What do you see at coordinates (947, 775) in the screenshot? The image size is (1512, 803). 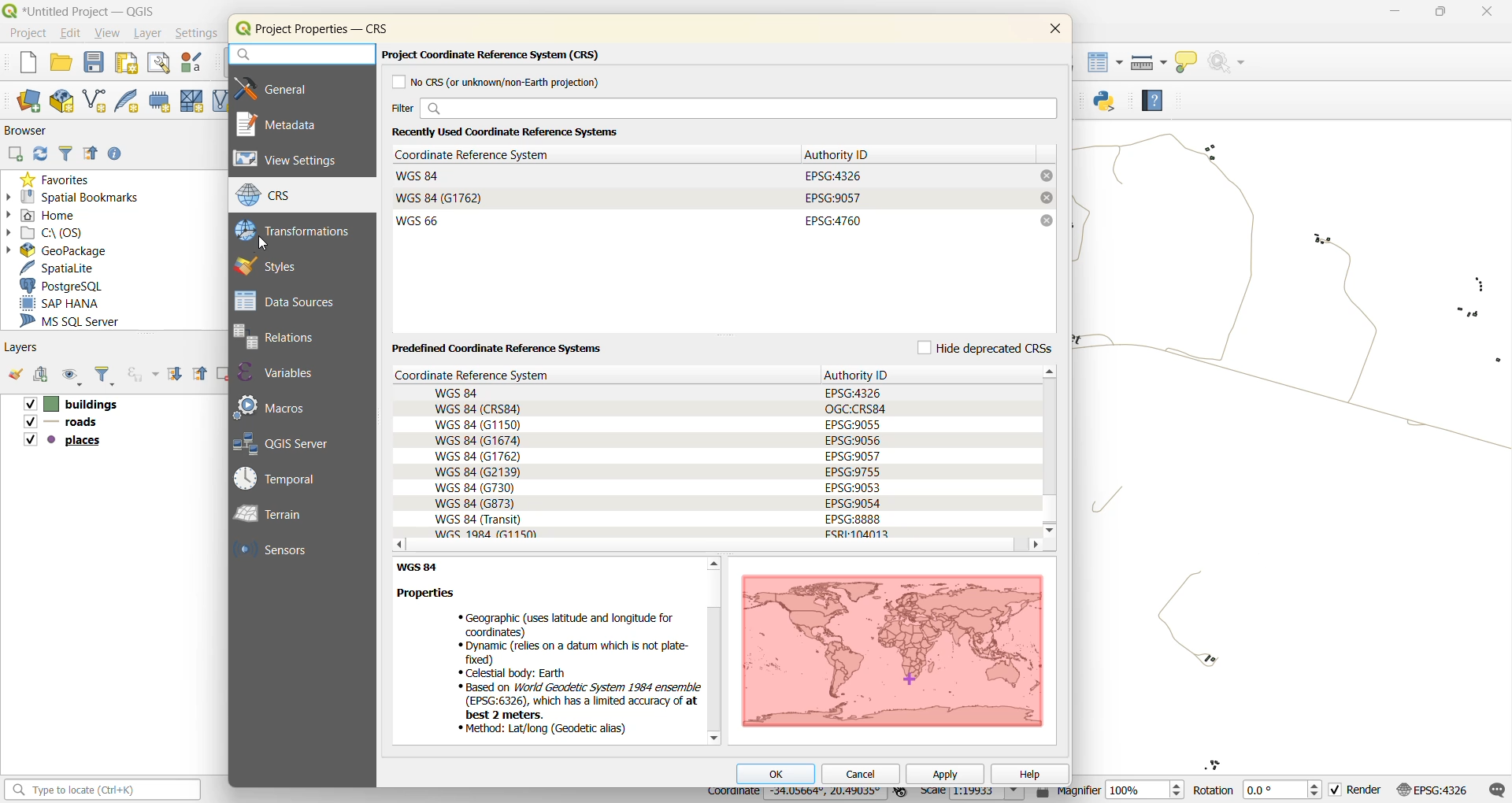 I see `apply` at bounding box center [947, 775].